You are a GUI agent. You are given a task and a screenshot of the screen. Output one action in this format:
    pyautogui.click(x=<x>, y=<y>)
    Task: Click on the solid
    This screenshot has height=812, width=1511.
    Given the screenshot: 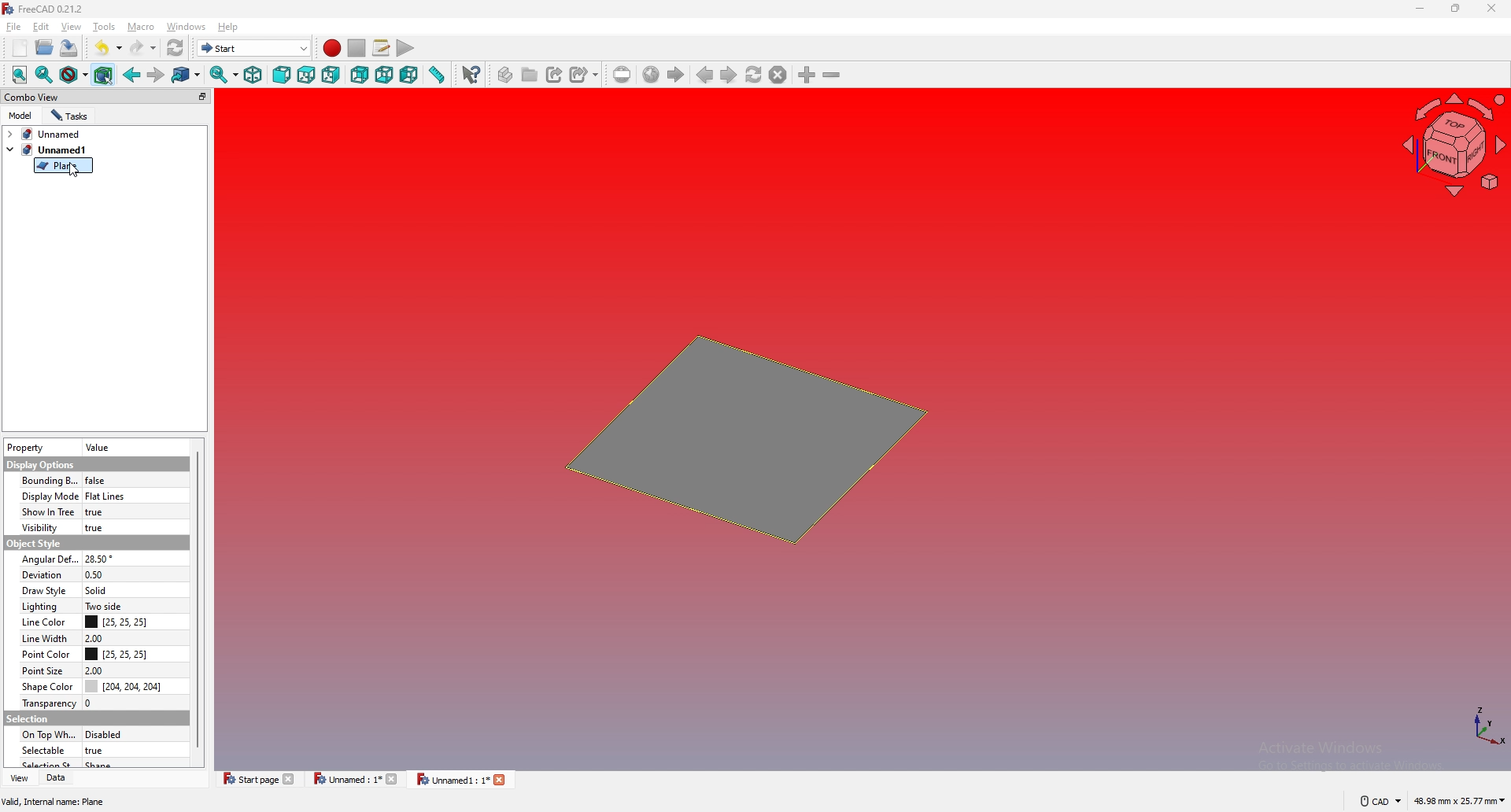 What is the action you would take?
    pyautogui.click(x=96, y=590)
    